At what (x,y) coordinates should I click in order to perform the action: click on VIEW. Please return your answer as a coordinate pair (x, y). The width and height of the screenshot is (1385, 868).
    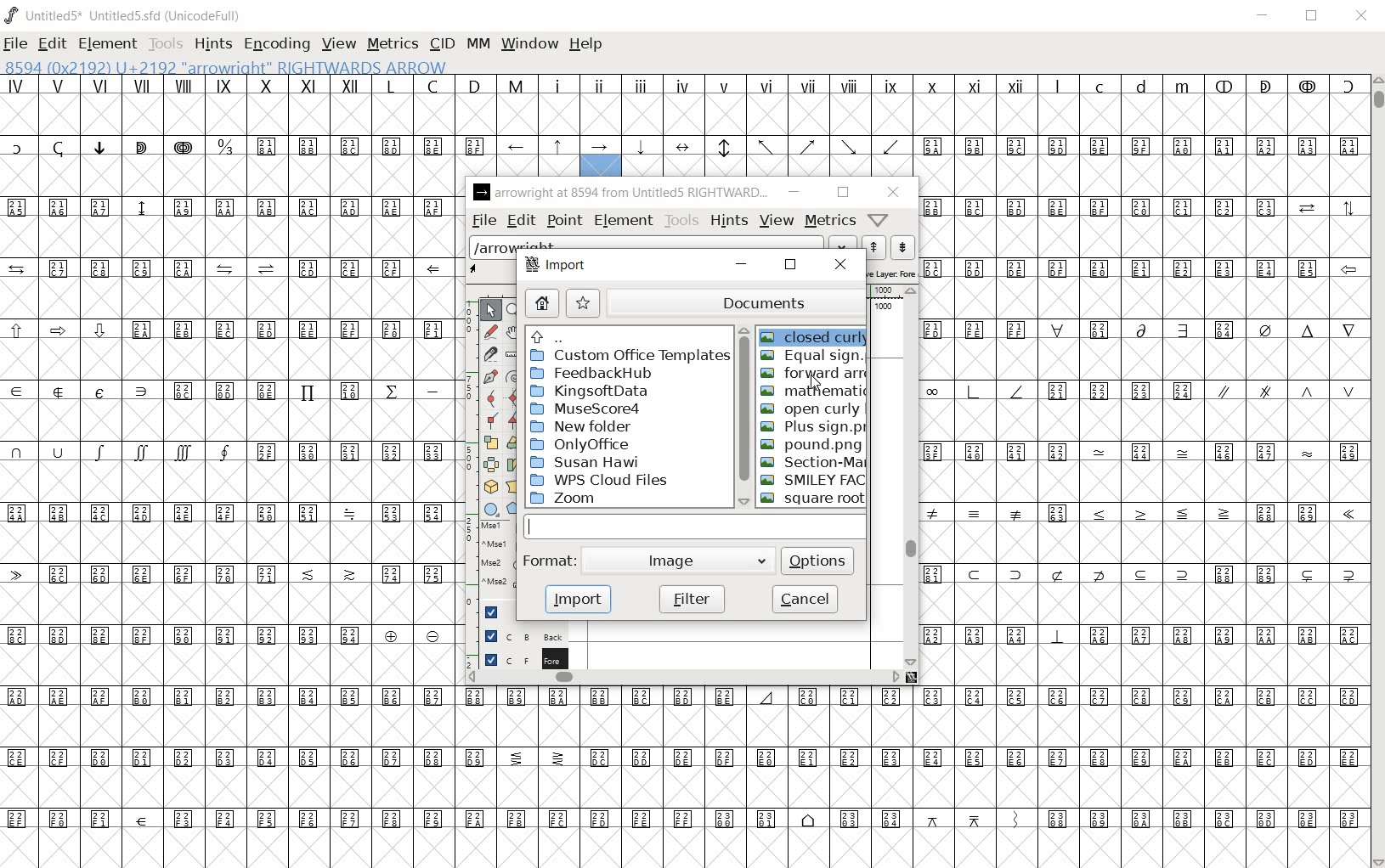
    Looking at the image, I should click on (337, 44).